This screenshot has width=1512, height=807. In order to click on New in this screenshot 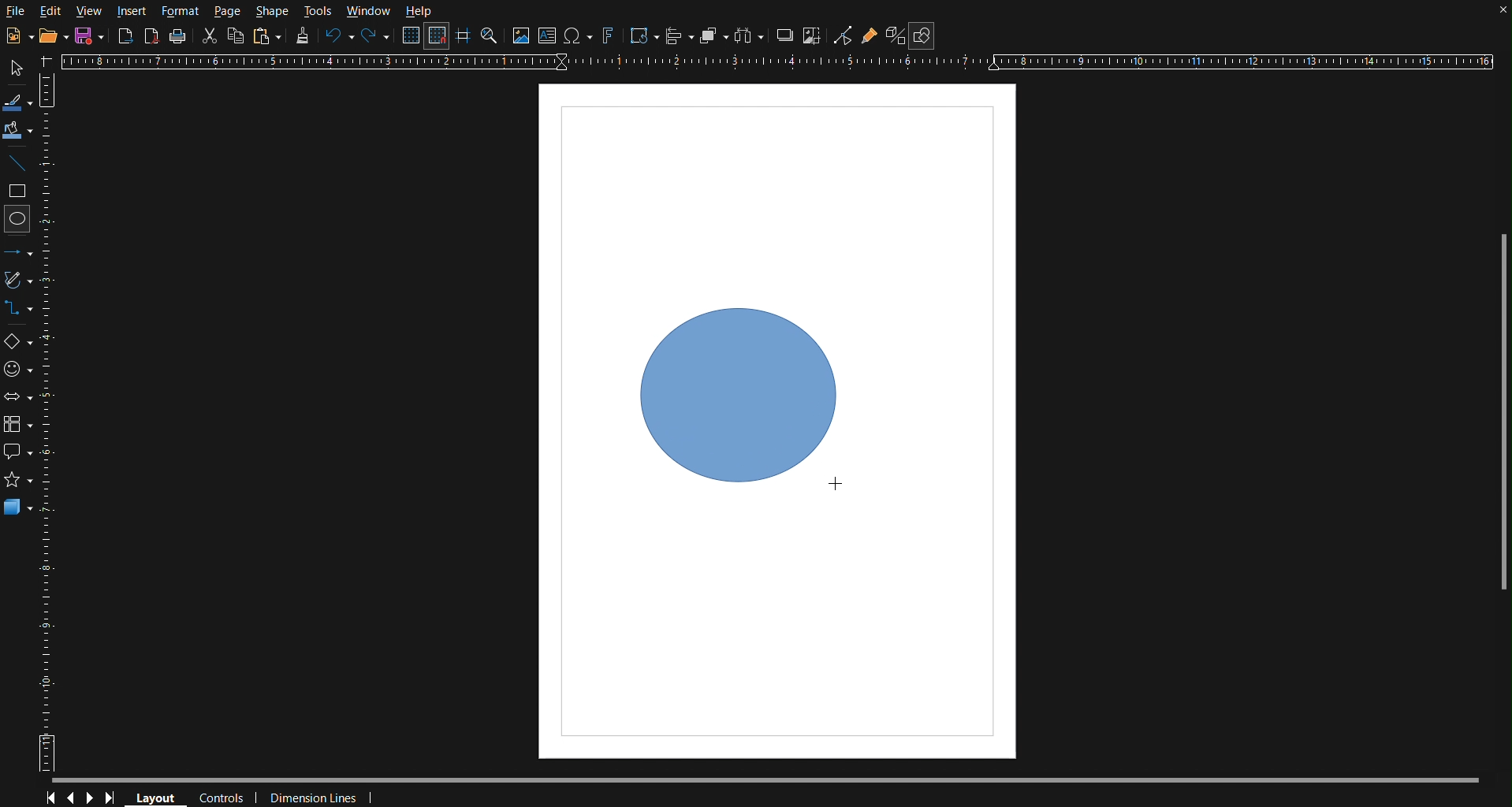, I will do `click(15, 33)`.